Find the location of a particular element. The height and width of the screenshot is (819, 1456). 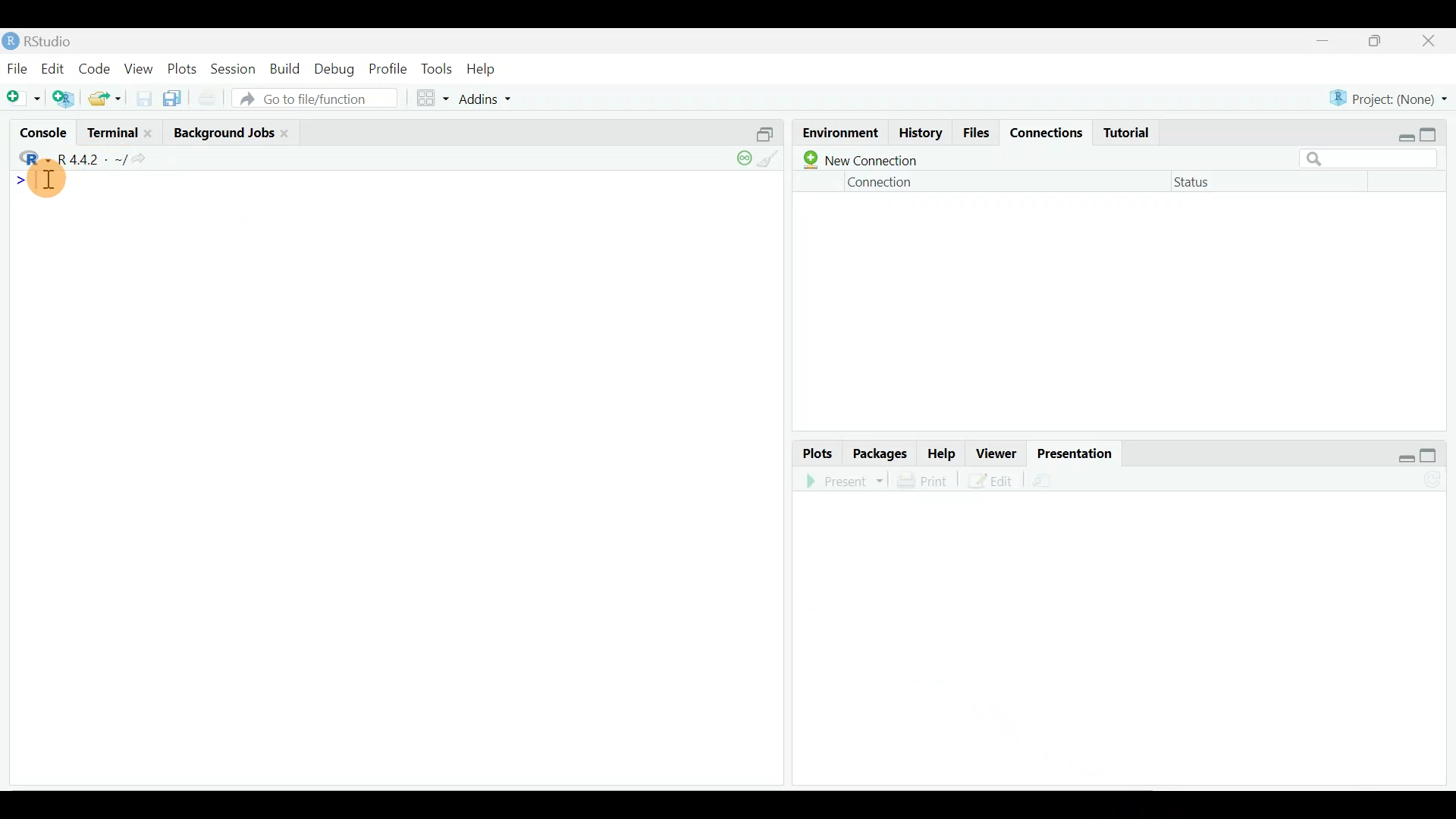

Viewer is located at coordinates (998, 452).